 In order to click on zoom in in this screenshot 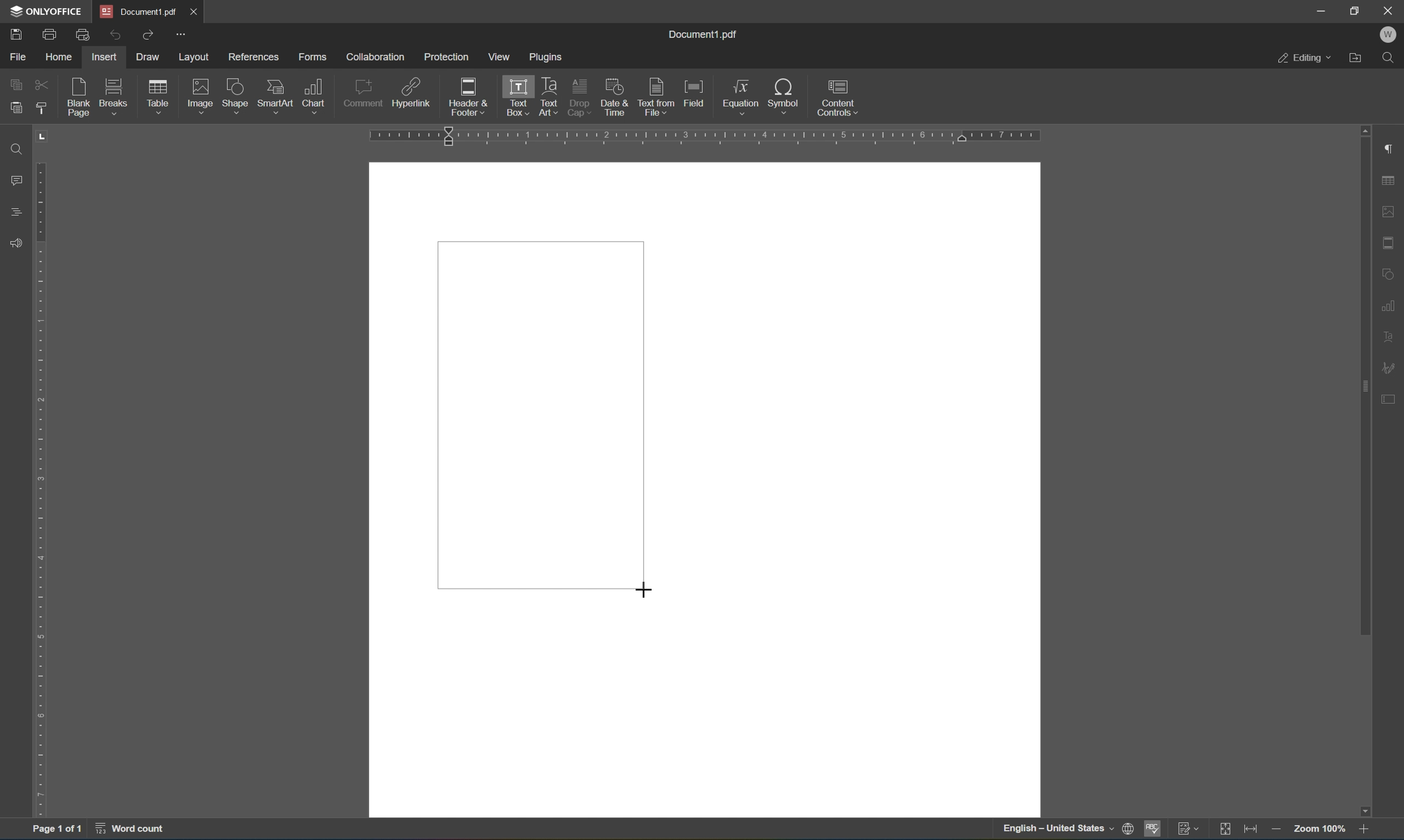, I will do `click(1364, 830)`.